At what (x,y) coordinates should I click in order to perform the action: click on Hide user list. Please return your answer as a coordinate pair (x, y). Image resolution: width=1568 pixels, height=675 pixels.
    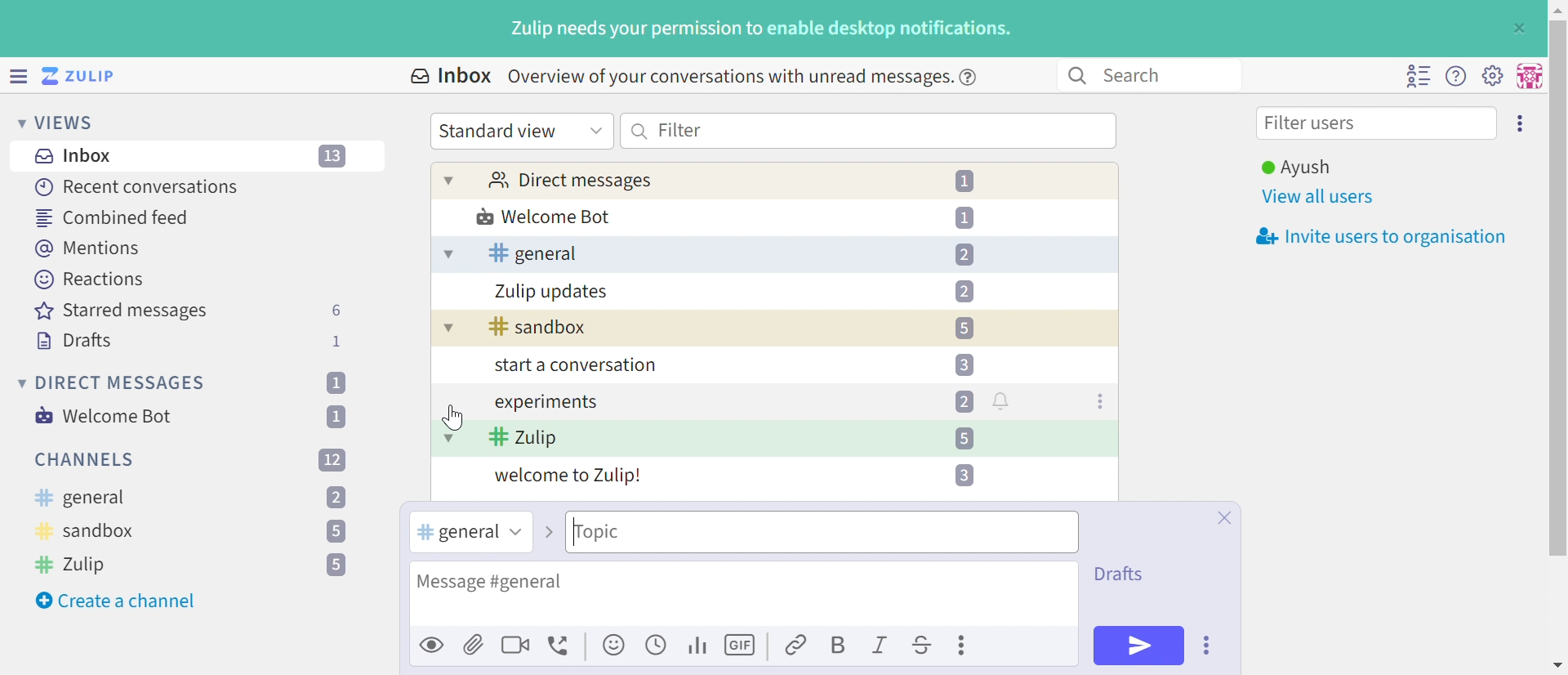
    Looking at the image, I should click on (1418, 76).